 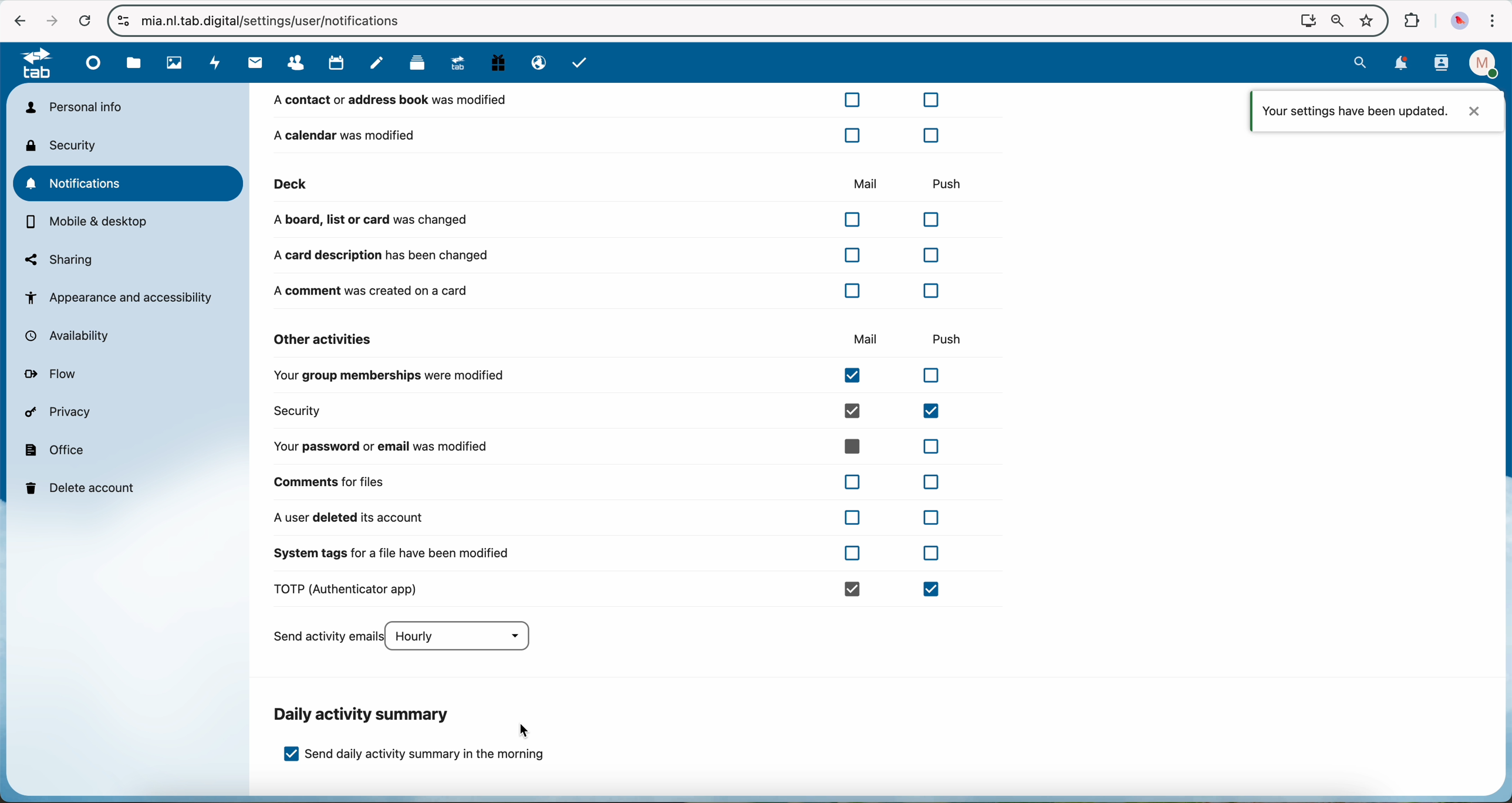 I want to click on controls, so click(x=124, y=21).